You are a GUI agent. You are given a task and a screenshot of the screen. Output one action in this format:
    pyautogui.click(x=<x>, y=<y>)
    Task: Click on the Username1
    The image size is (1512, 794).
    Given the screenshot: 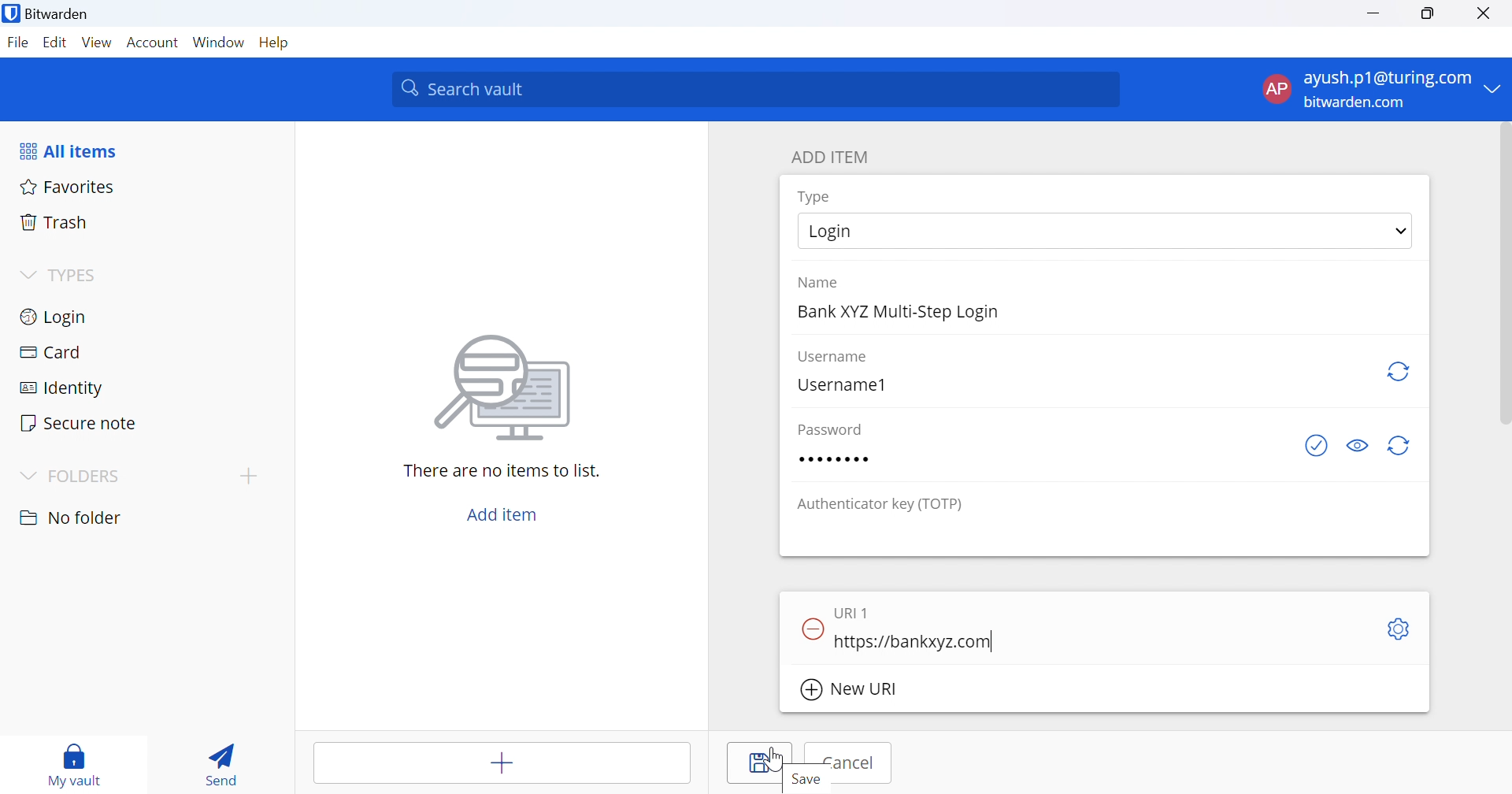 What is the action you would take?
    pyautogui.click(x=850, y=386)
    